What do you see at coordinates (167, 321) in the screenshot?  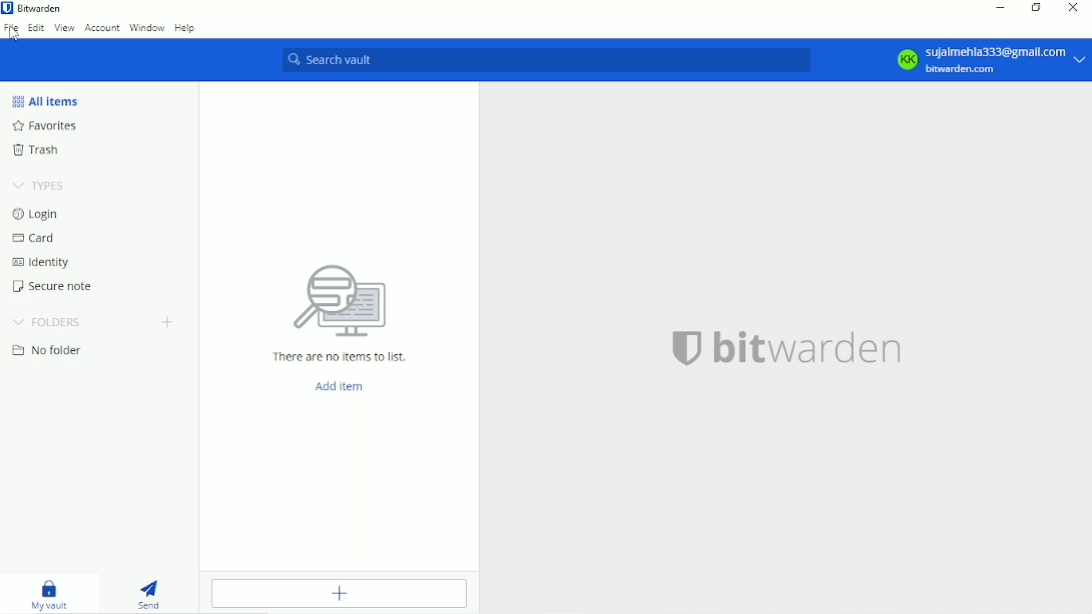 I see `Add folder` at bounding box center [167, 321].